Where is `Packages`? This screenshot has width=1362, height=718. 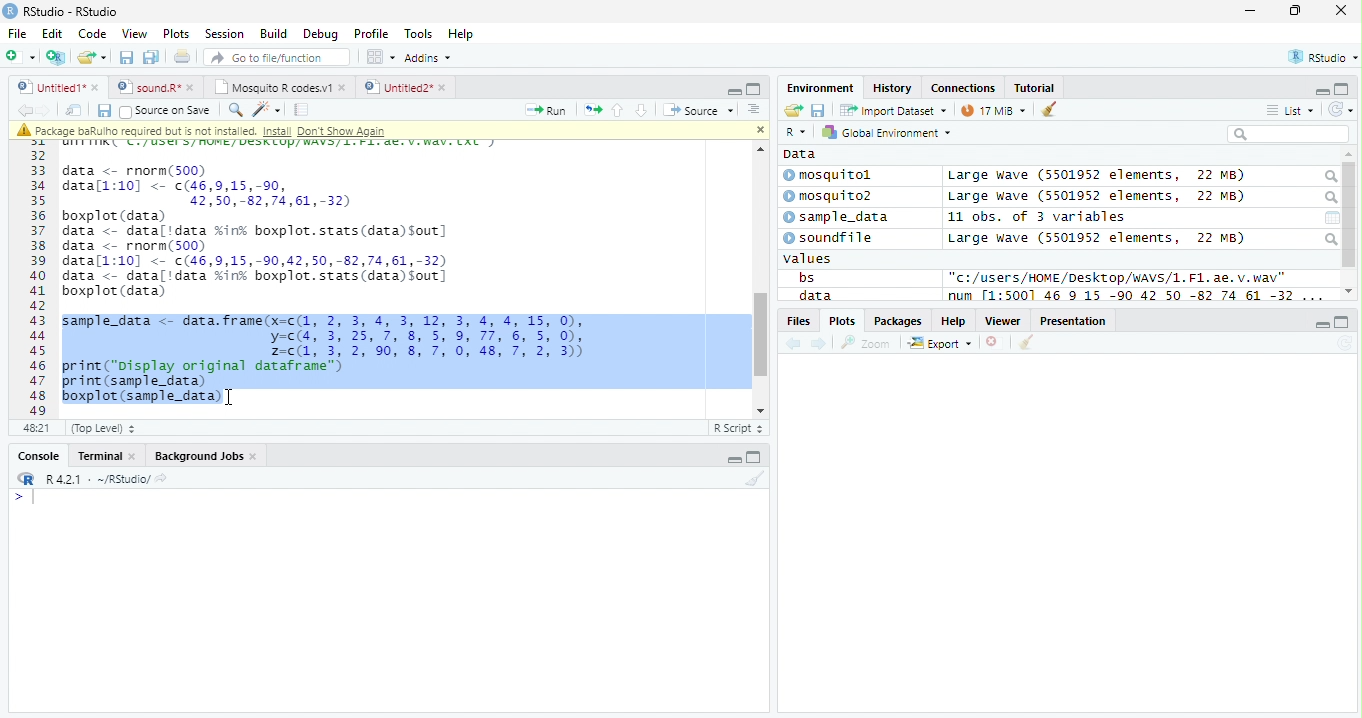
Packages is located at coordinates (899, 321).